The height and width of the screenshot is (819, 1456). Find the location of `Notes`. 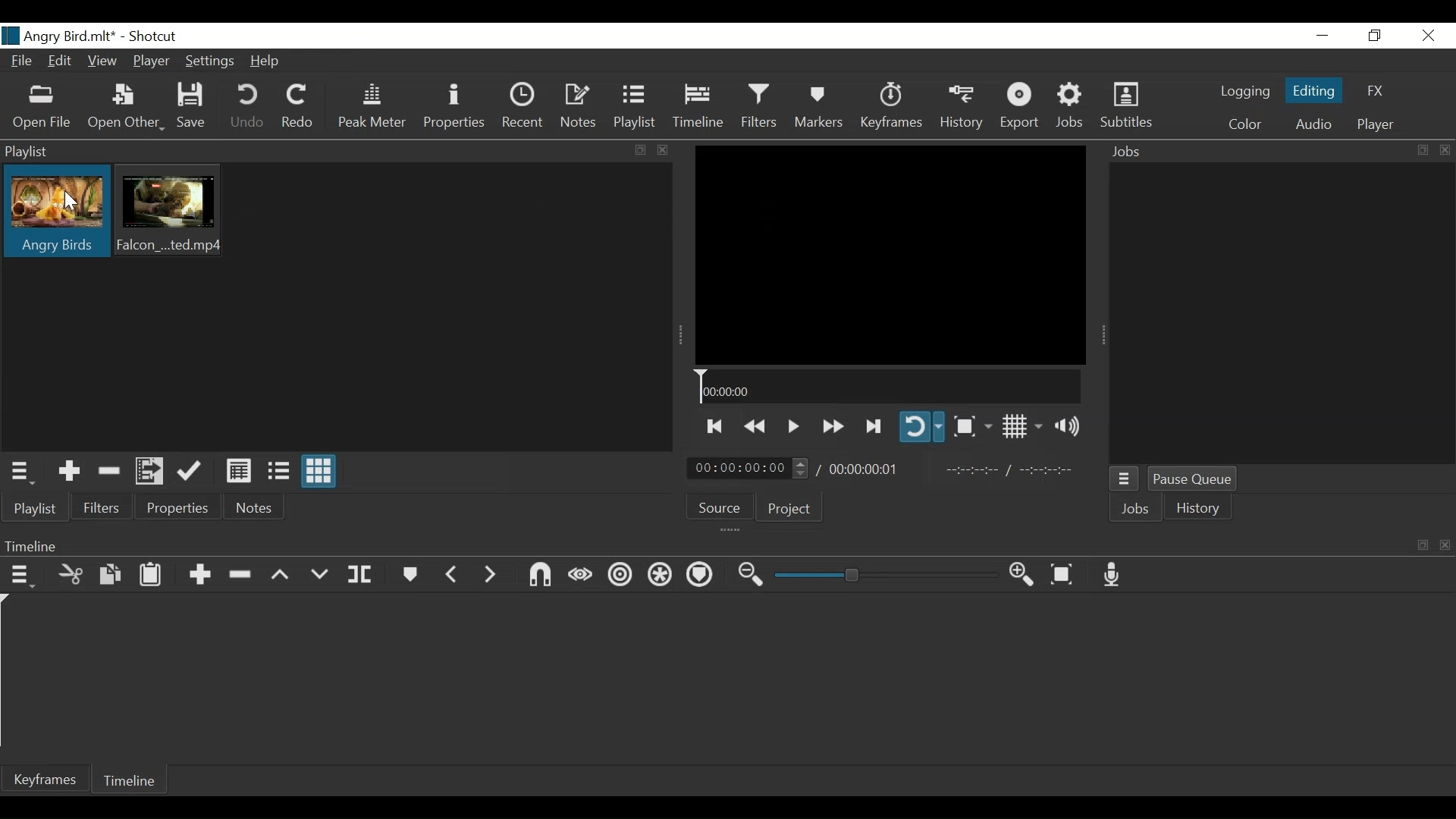

Notes is located at coordinates (581, 108).